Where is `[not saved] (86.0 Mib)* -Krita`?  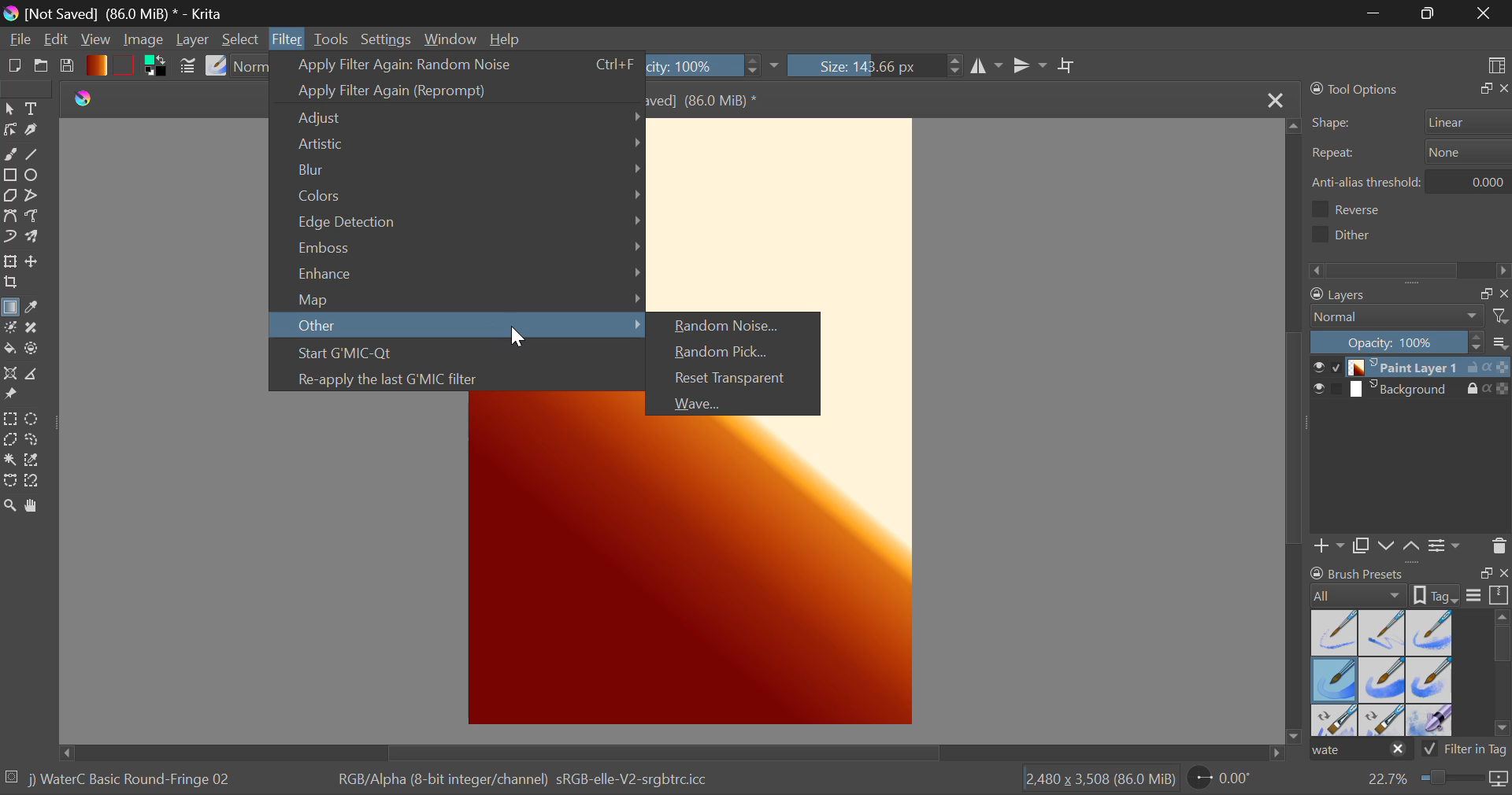 [not saved] (86.0 Mib)* -Krita is located at coordinates (114, 14).